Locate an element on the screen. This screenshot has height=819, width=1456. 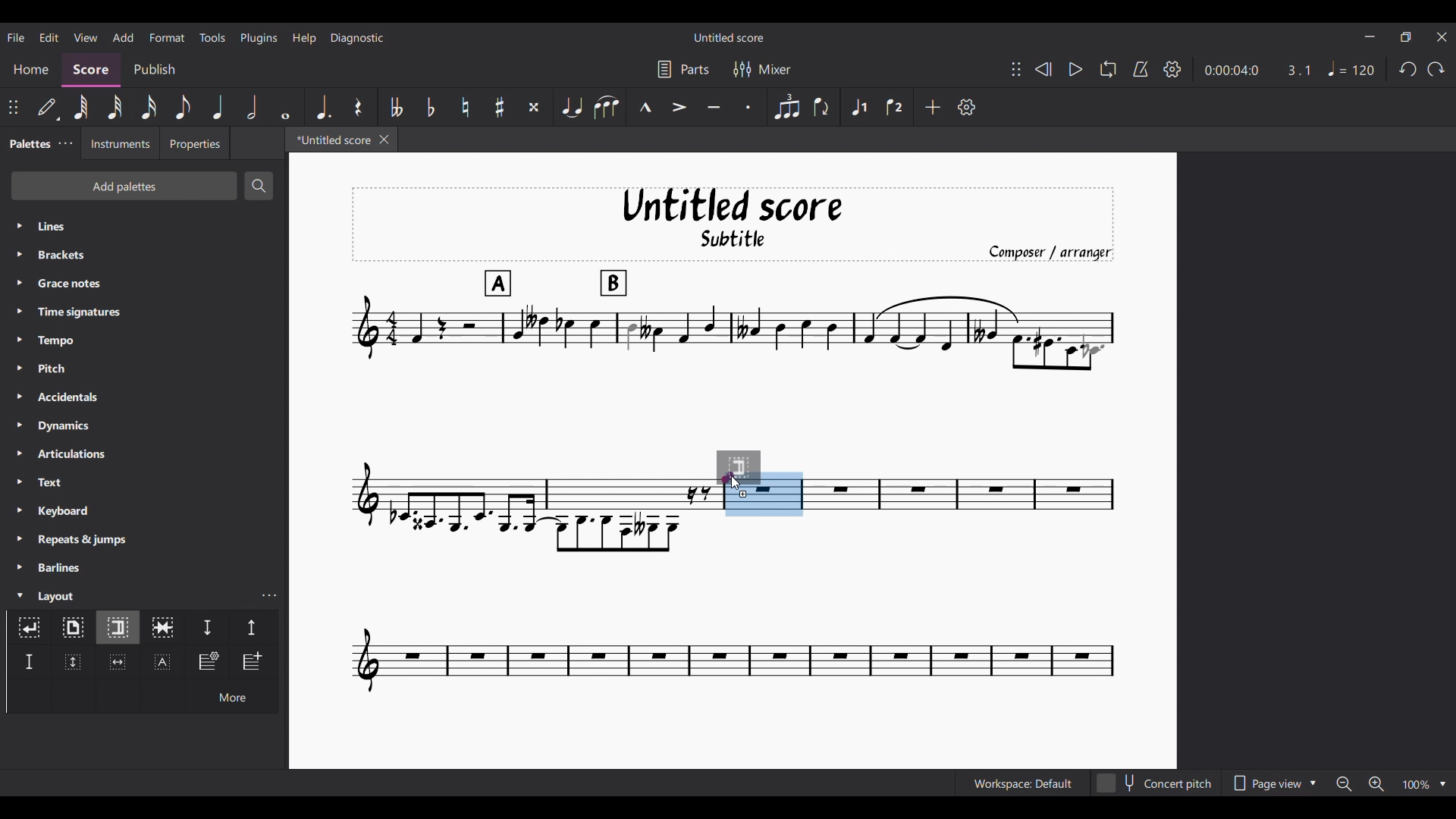
Tie is located at coordinates (571, 106).